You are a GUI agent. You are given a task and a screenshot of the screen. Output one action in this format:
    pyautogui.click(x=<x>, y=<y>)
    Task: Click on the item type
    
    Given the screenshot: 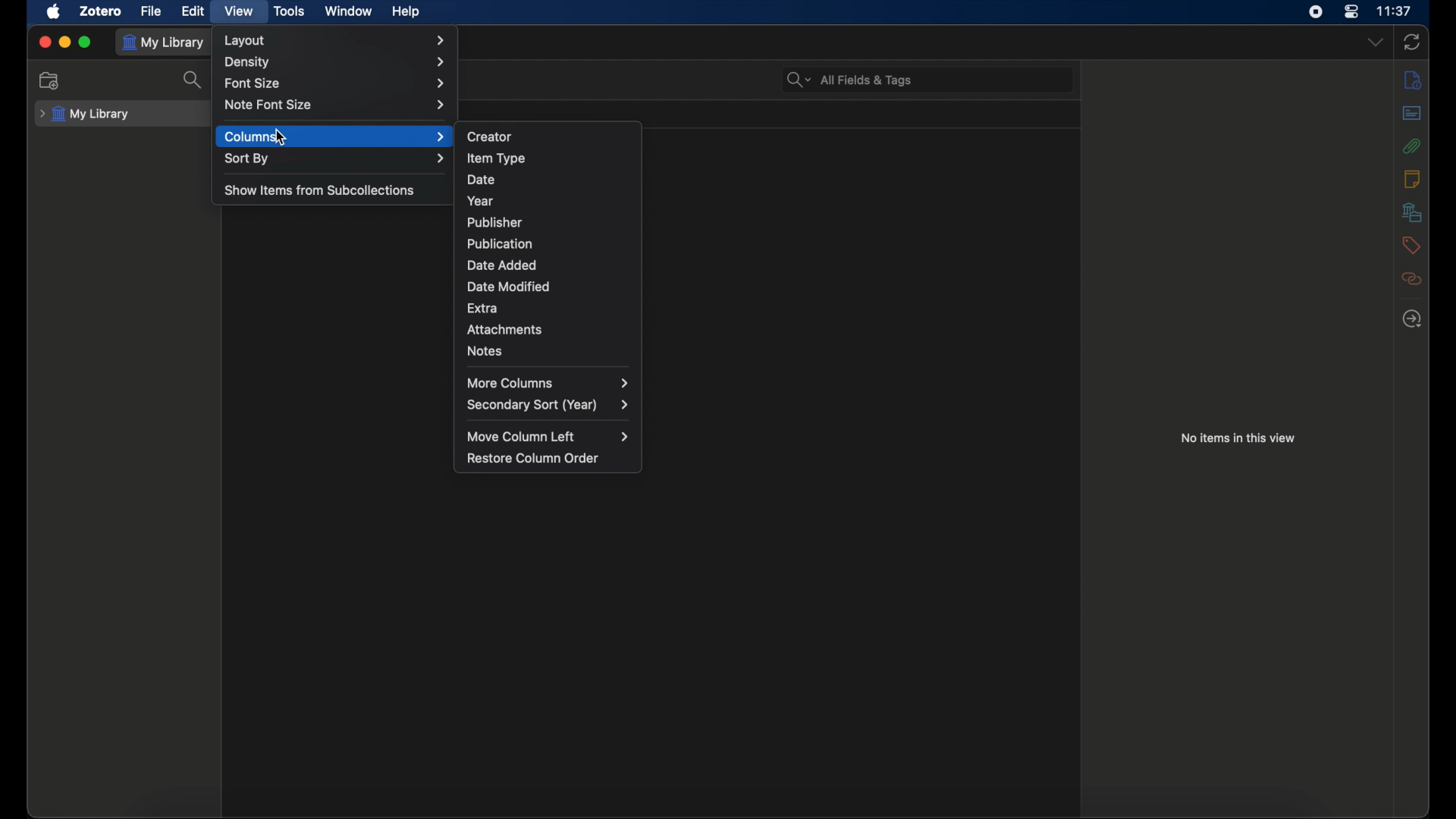 What is the action you would take?
    pyautogui.click(x=497, y=158)
    